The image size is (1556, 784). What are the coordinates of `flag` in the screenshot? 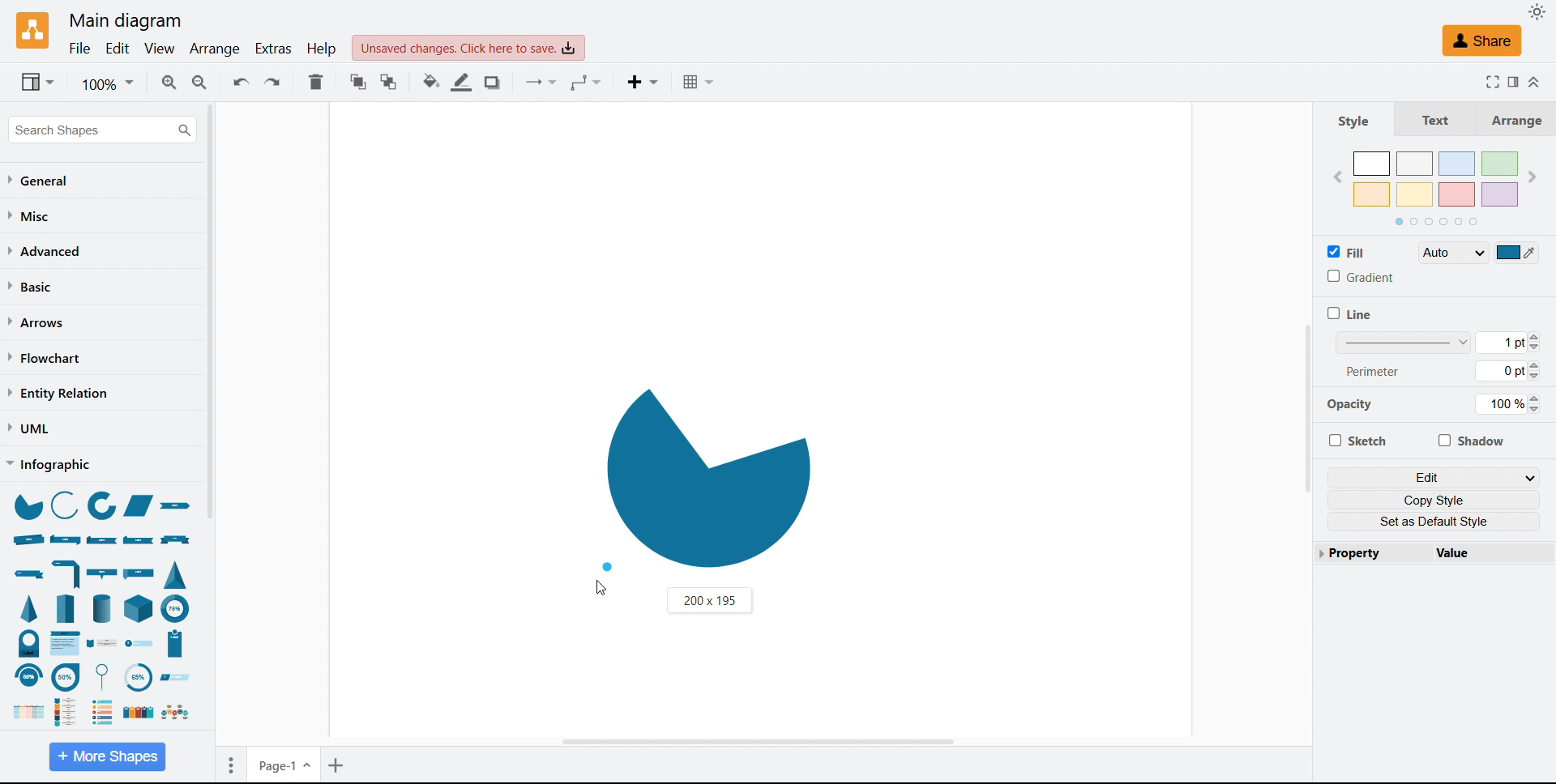 It's located at (141, 572).